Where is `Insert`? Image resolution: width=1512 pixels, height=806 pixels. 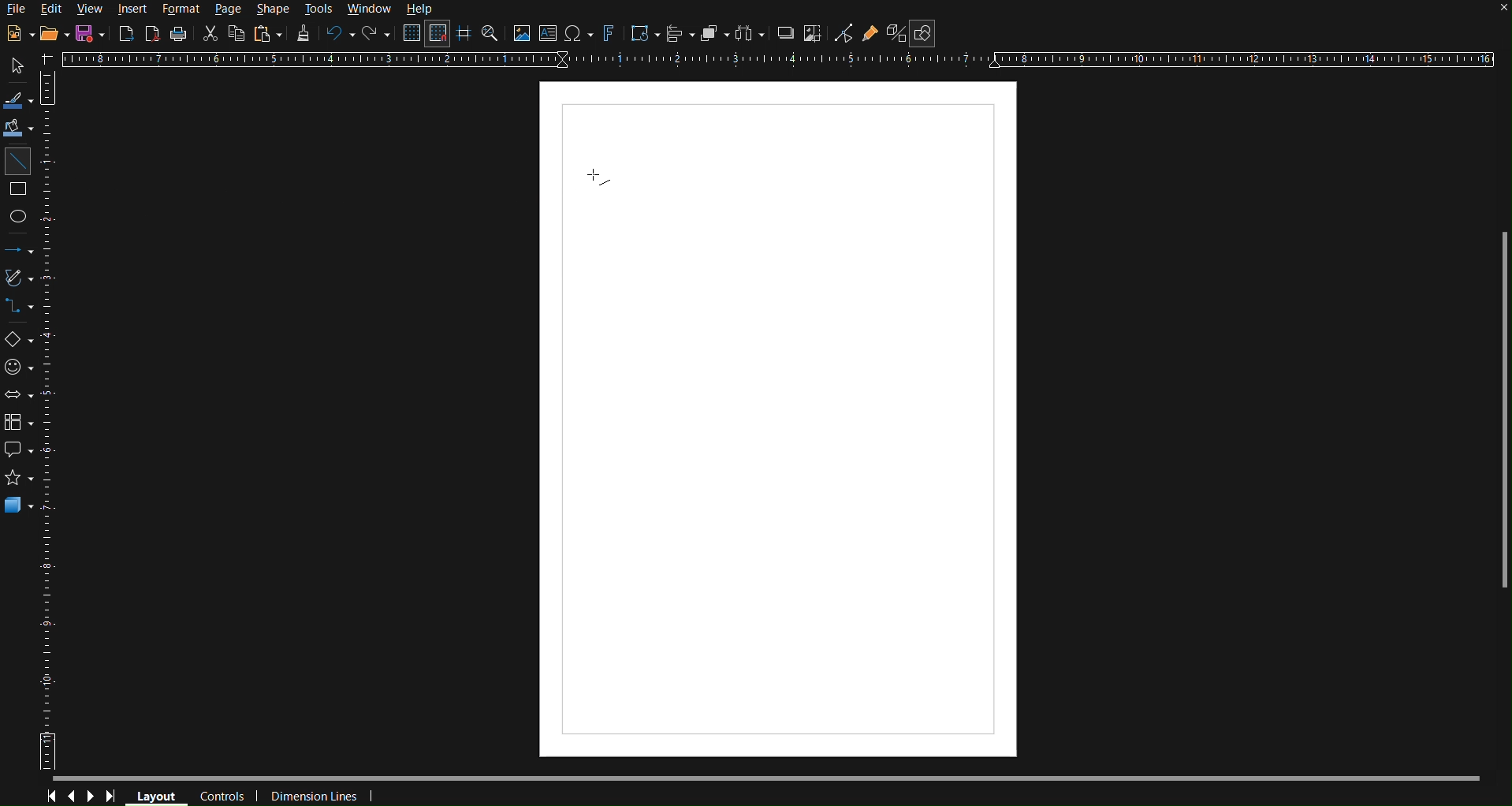 Insert is located at coordinates (133, 9).